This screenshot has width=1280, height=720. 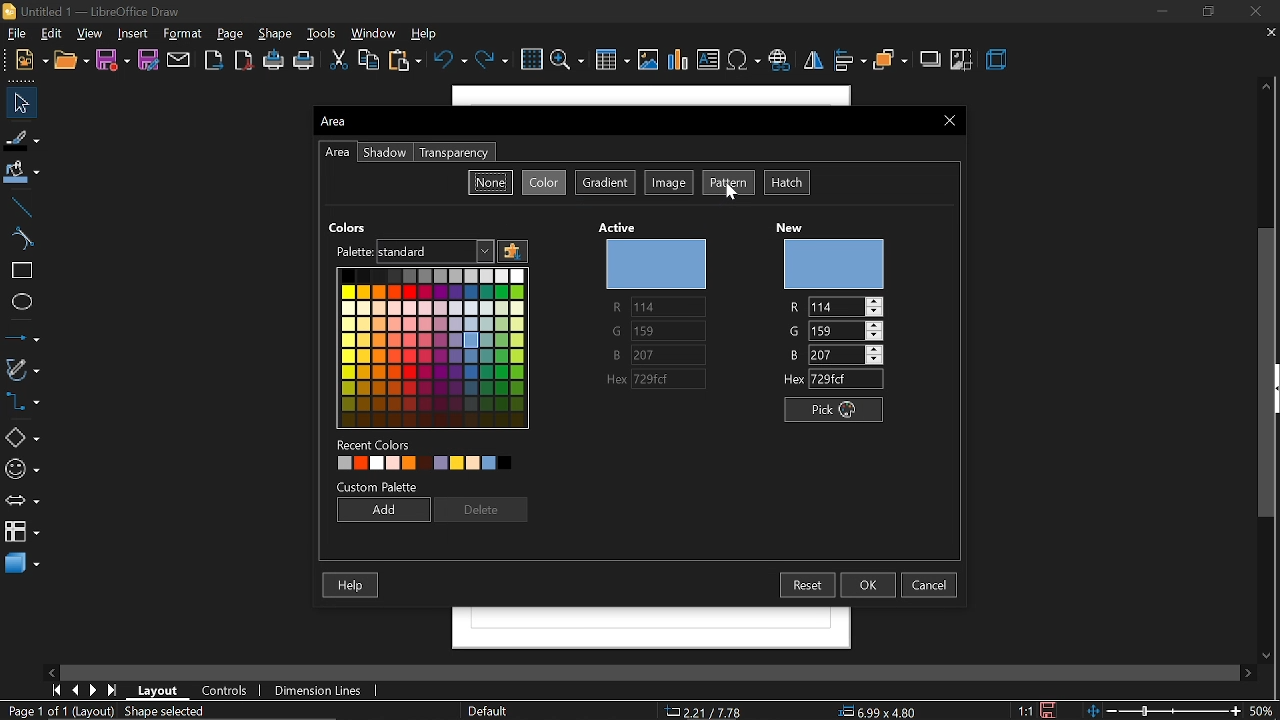 I want to click on R, so click(x=792, y=306).